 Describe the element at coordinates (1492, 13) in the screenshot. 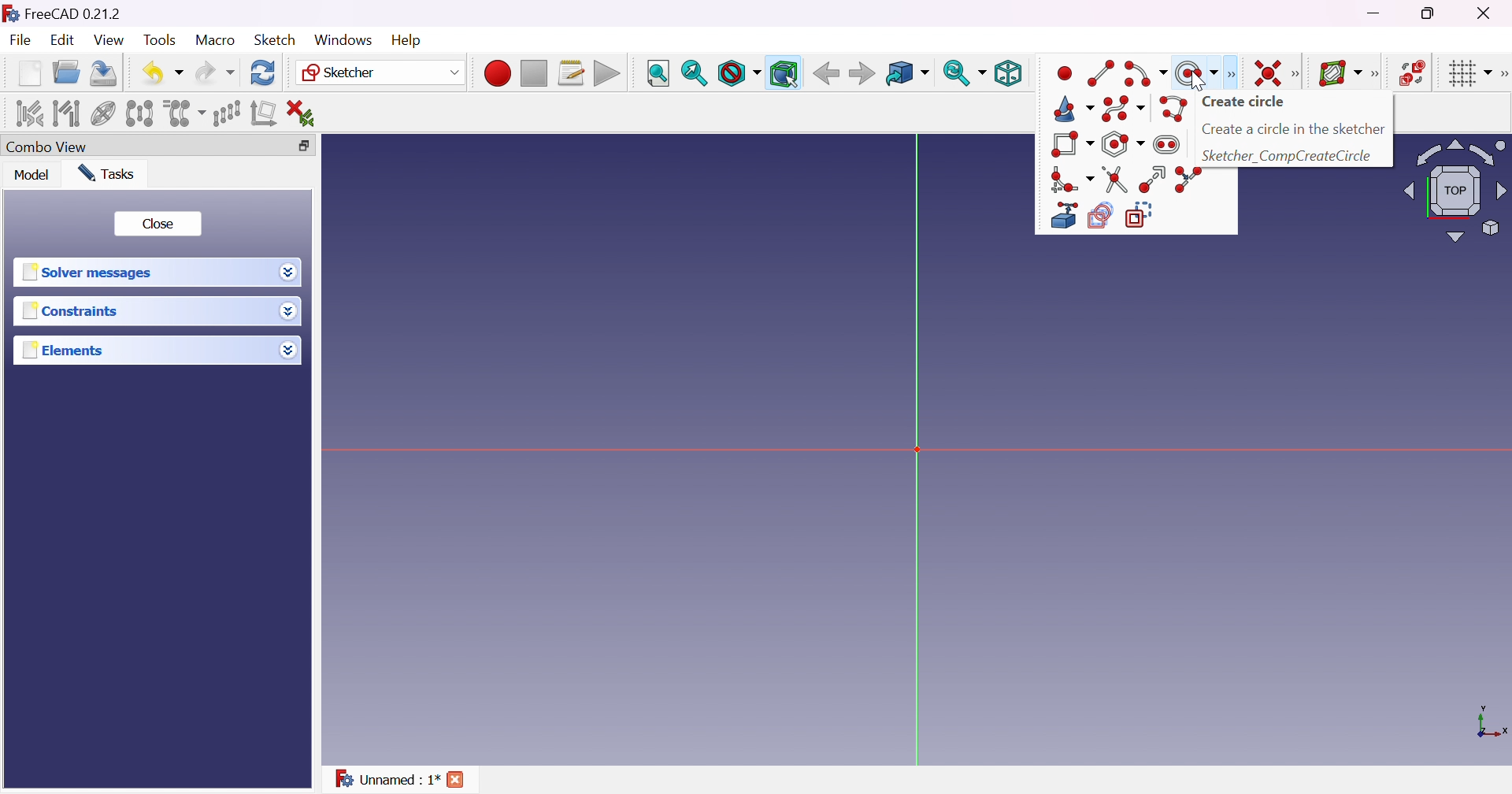

I see `Close` at that location.